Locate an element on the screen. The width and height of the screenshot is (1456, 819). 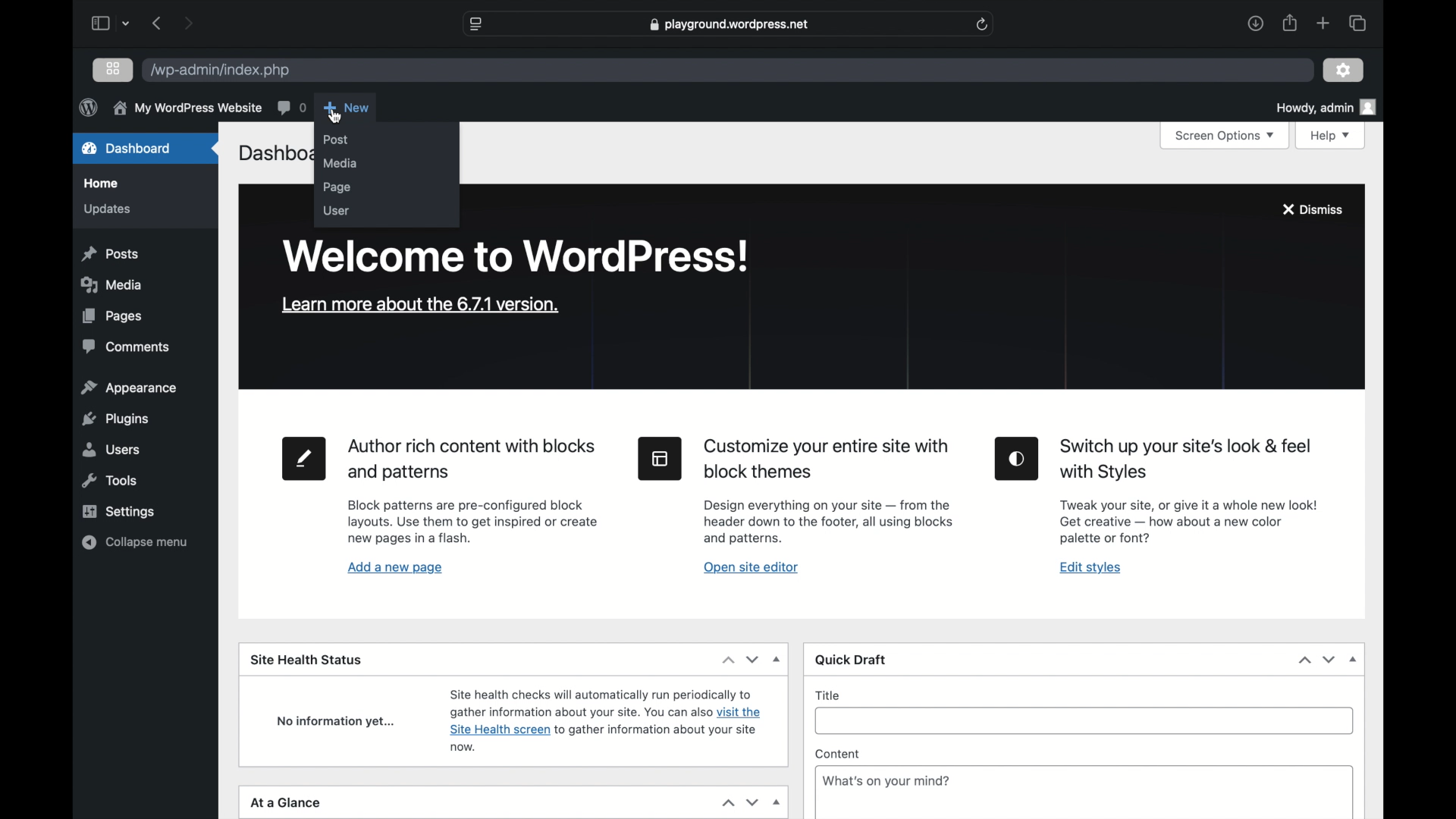
plugins is located at coordinates (117, 419).